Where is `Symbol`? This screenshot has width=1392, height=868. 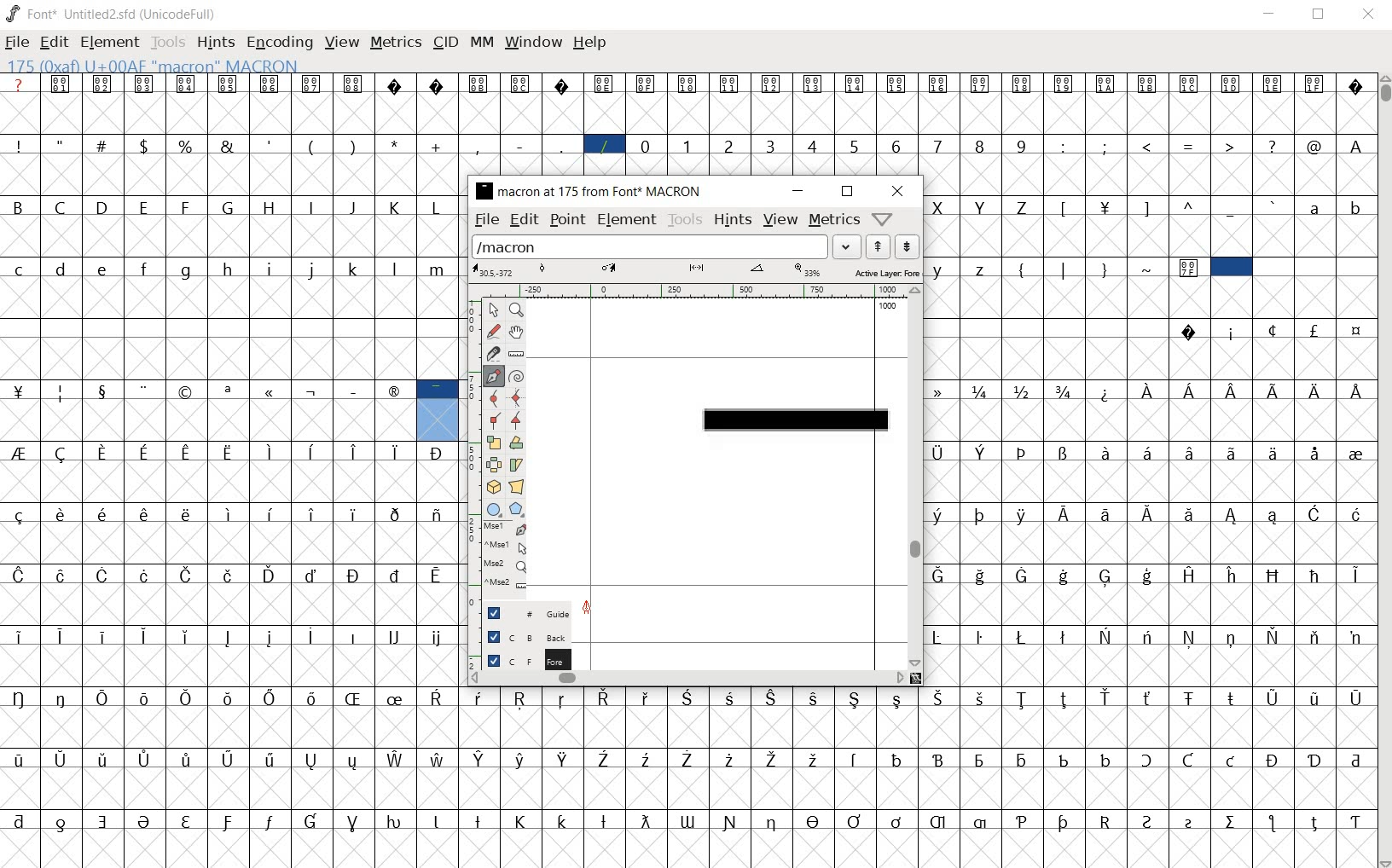
Symbol is located at coordinates (1273, 454).